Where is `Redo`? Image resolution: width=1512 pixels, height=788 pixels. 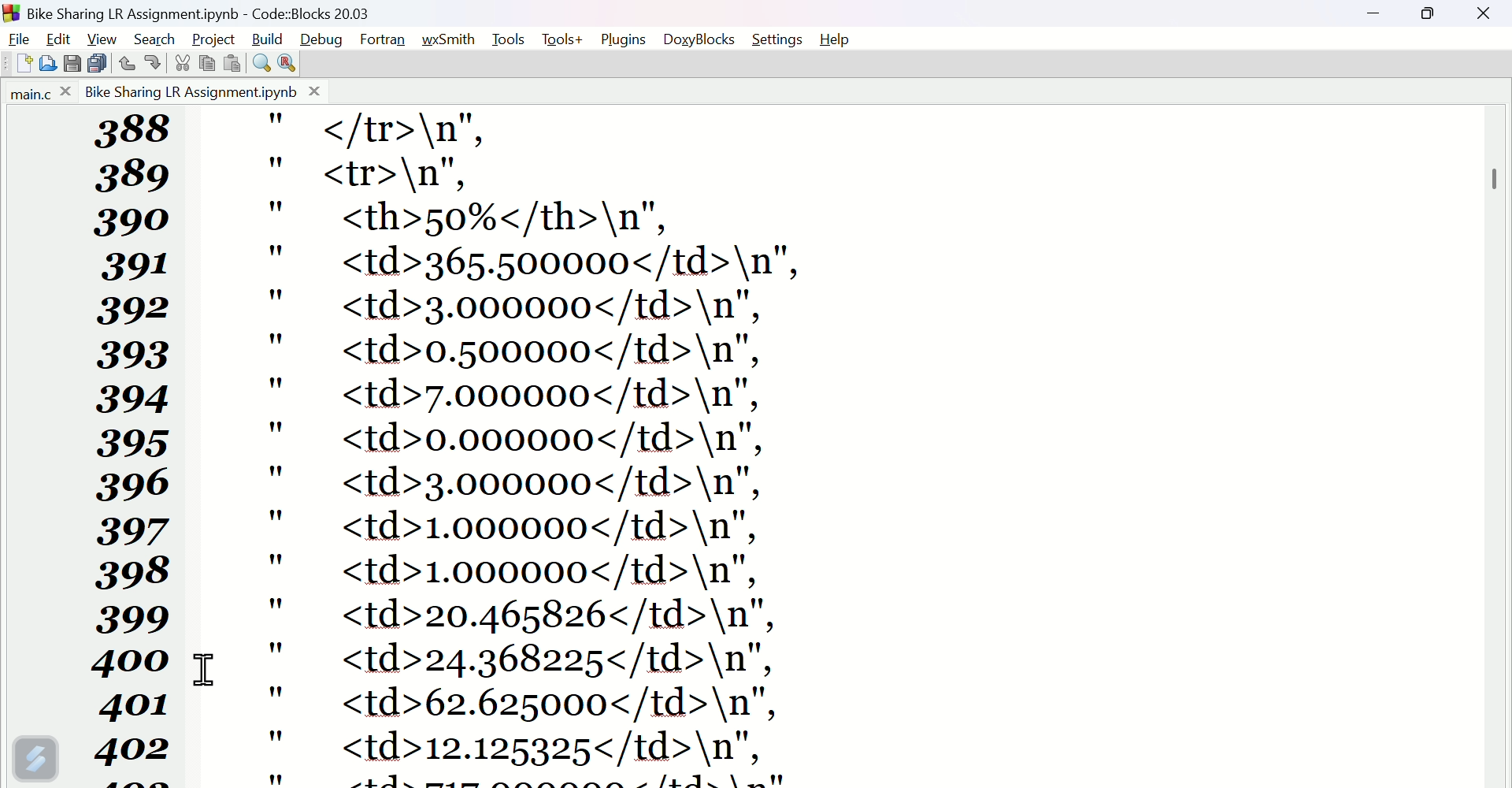 Redo is located at coordinates (150, 65).